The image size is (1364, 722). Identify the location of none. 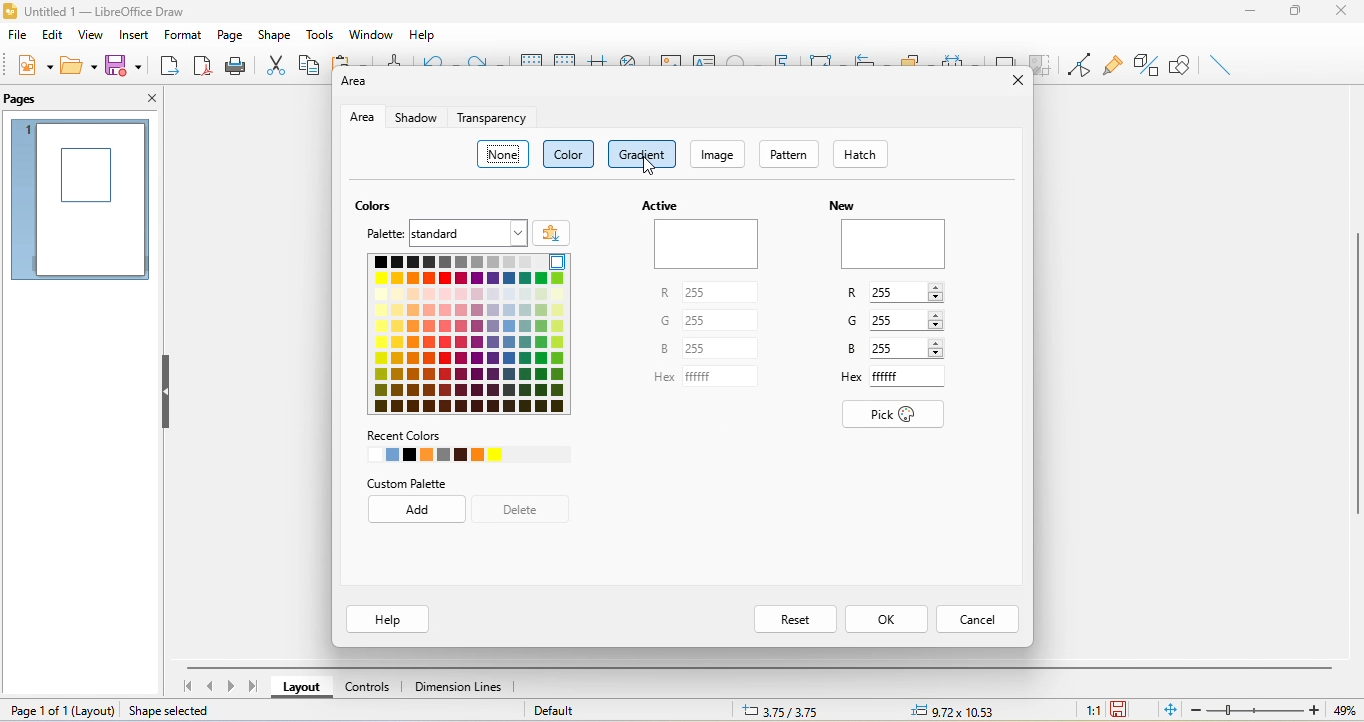
(503, 151).